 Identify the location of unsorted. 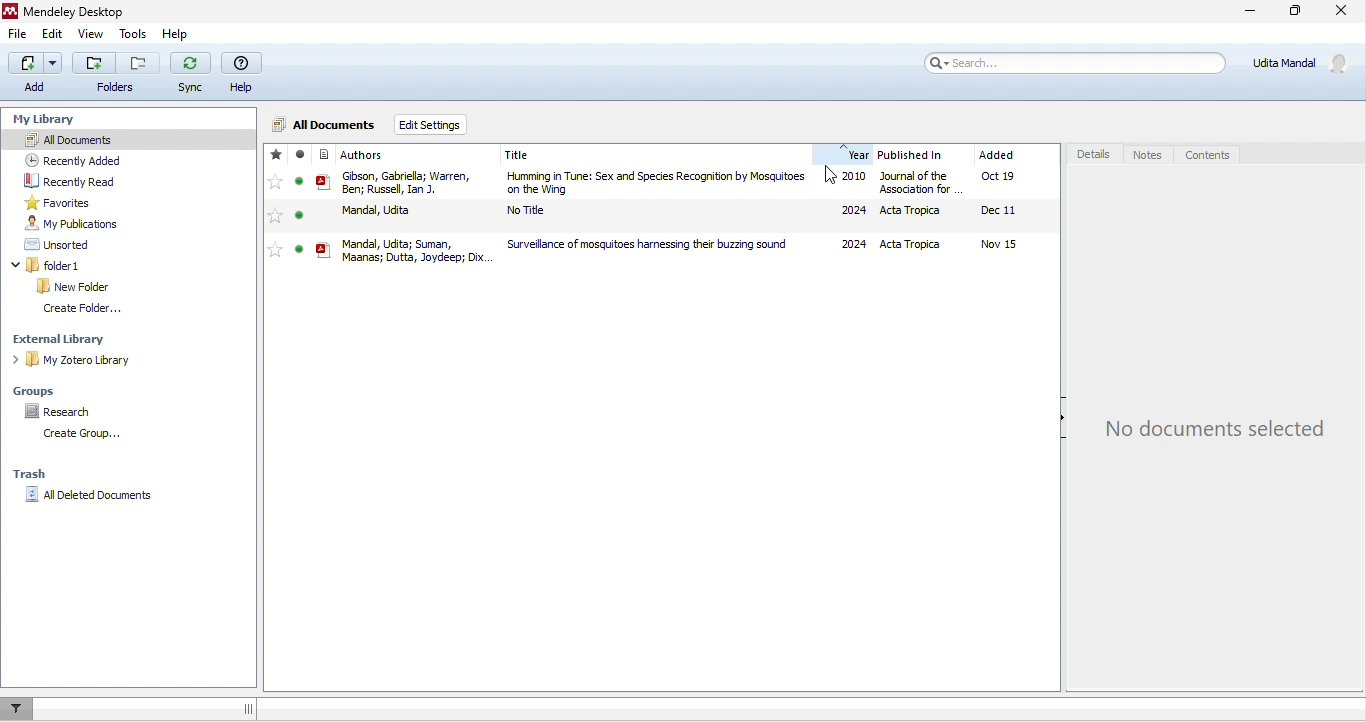
(53, 243).